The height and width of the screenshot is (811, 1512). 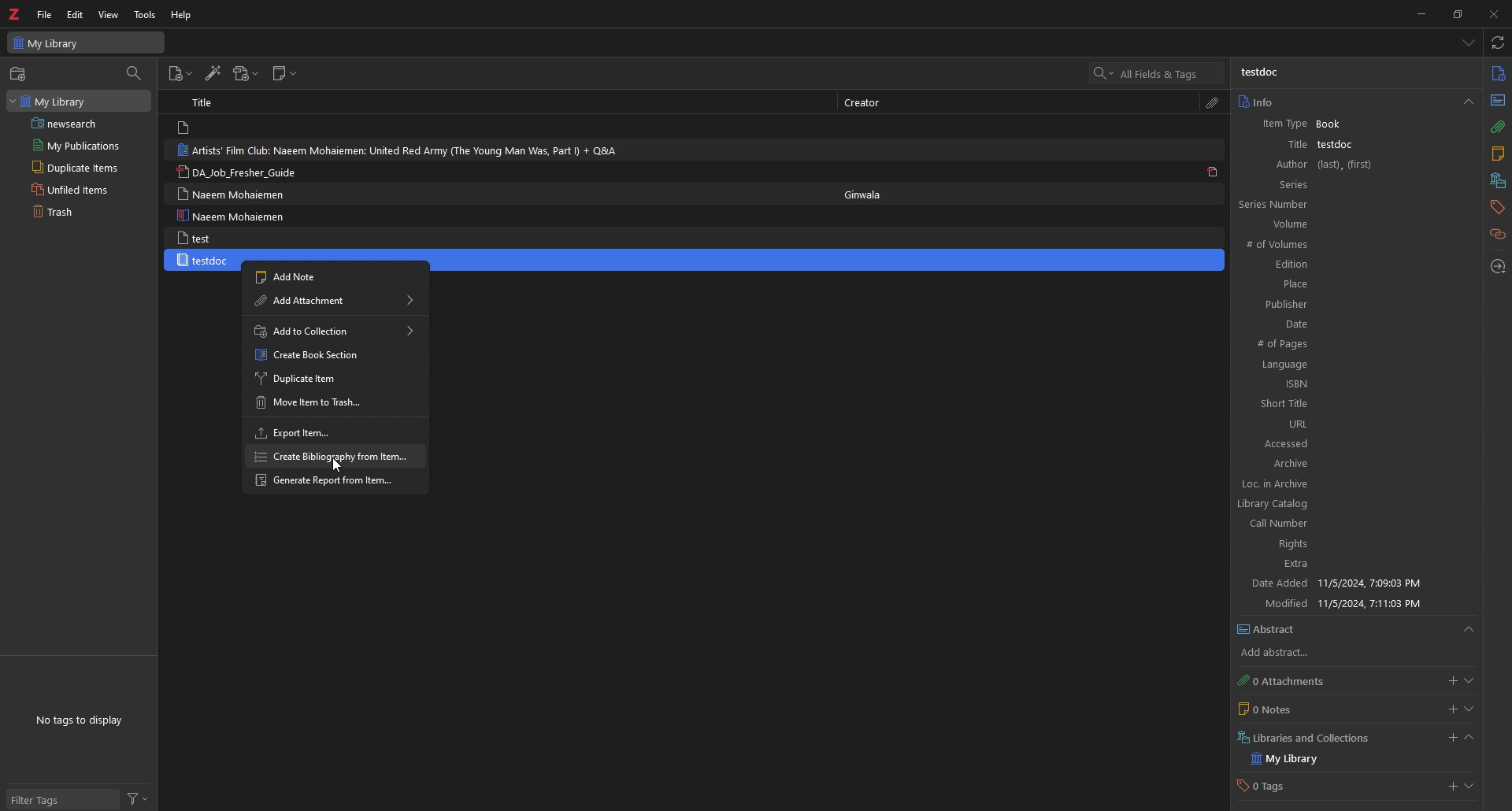 I want to click on testdoc, so click(x=1338, y=144).